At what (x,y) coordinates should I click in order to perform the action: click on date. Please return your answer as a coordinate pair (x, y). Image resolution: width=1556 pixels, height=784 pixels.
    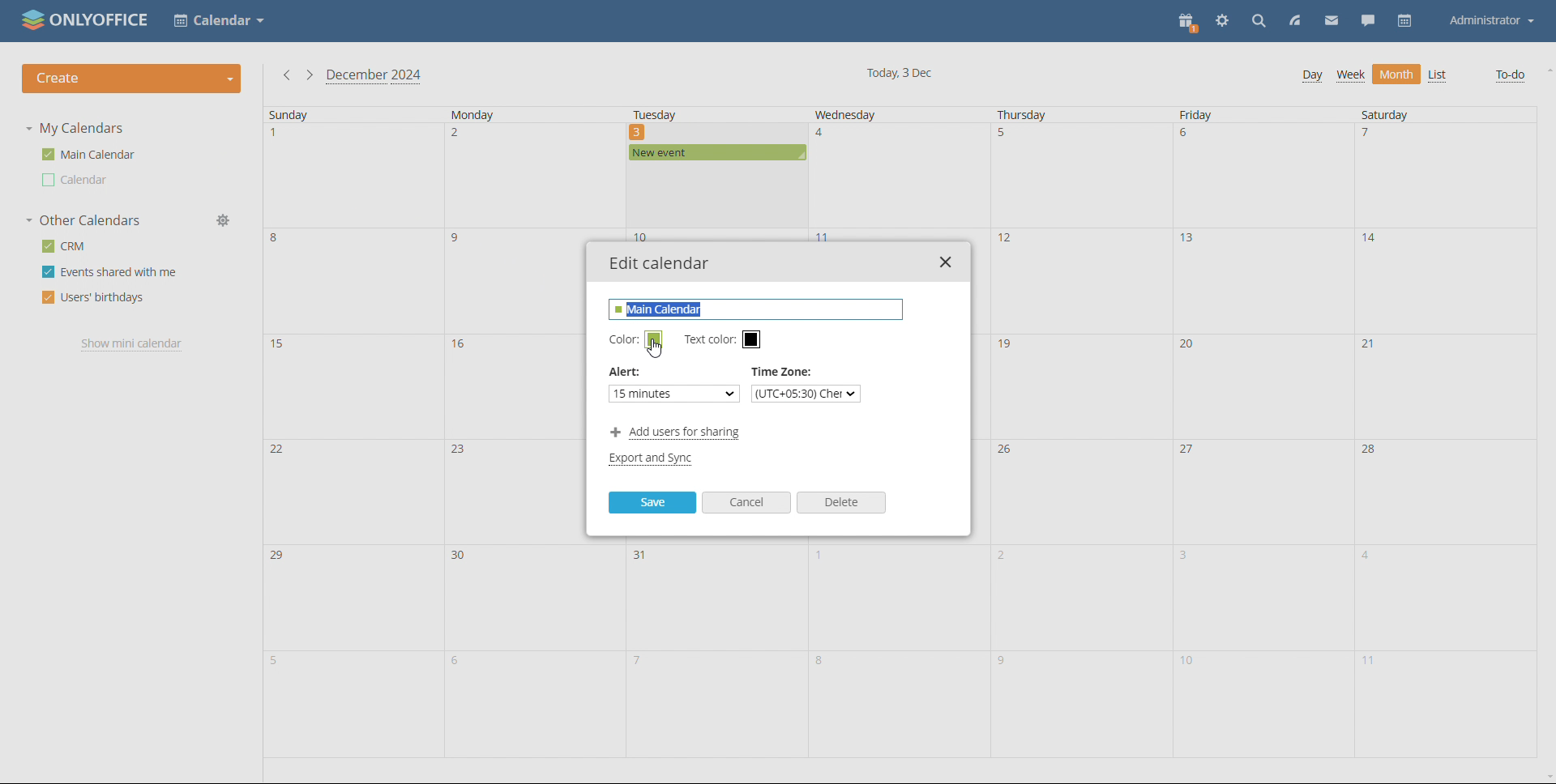
    Looking at the image, I should click on (1078, 282).